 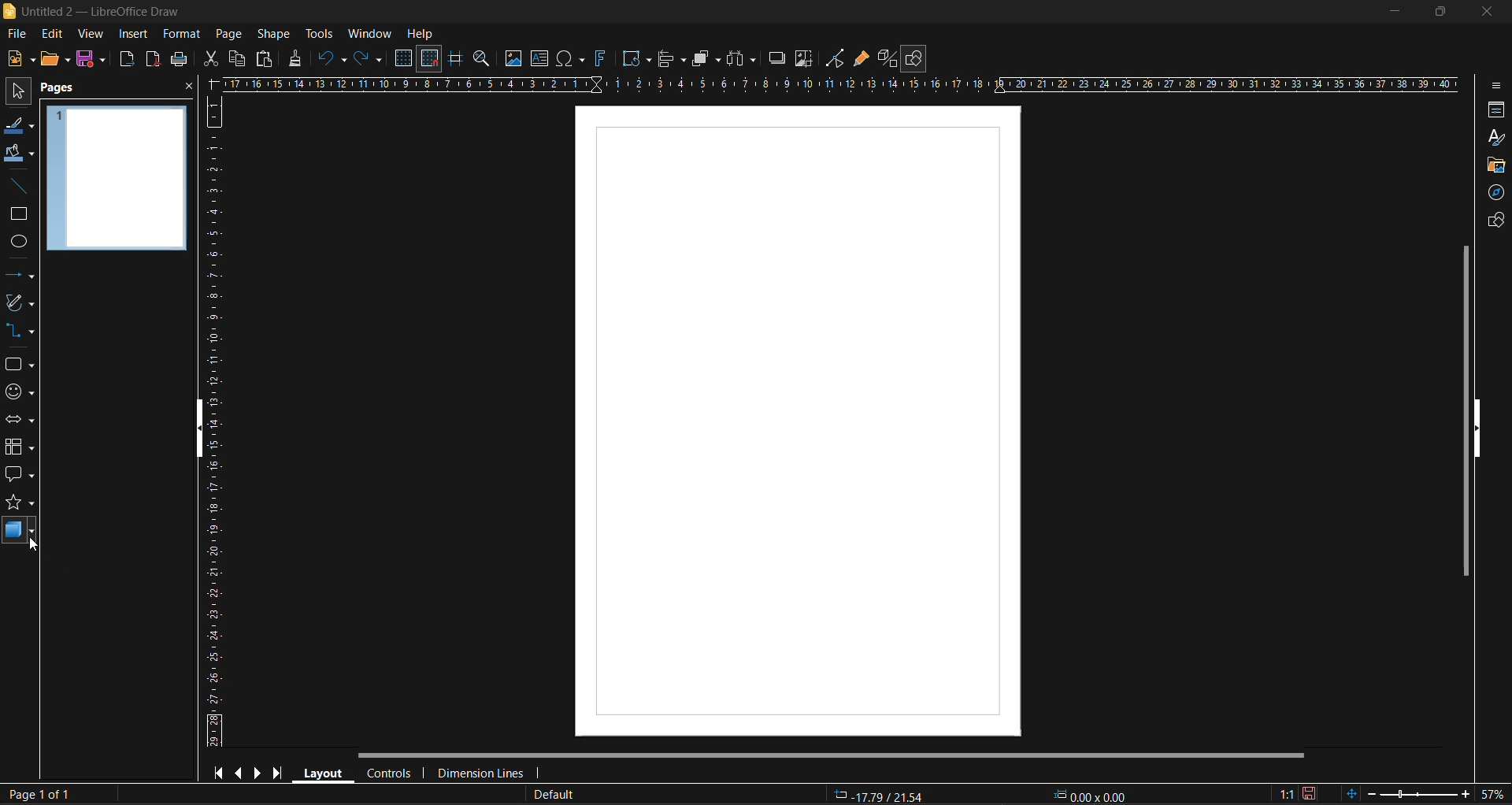 What do you see at coordinates (259, 773) in the screenshot?
I see `next` at bounding box center [259, 773].